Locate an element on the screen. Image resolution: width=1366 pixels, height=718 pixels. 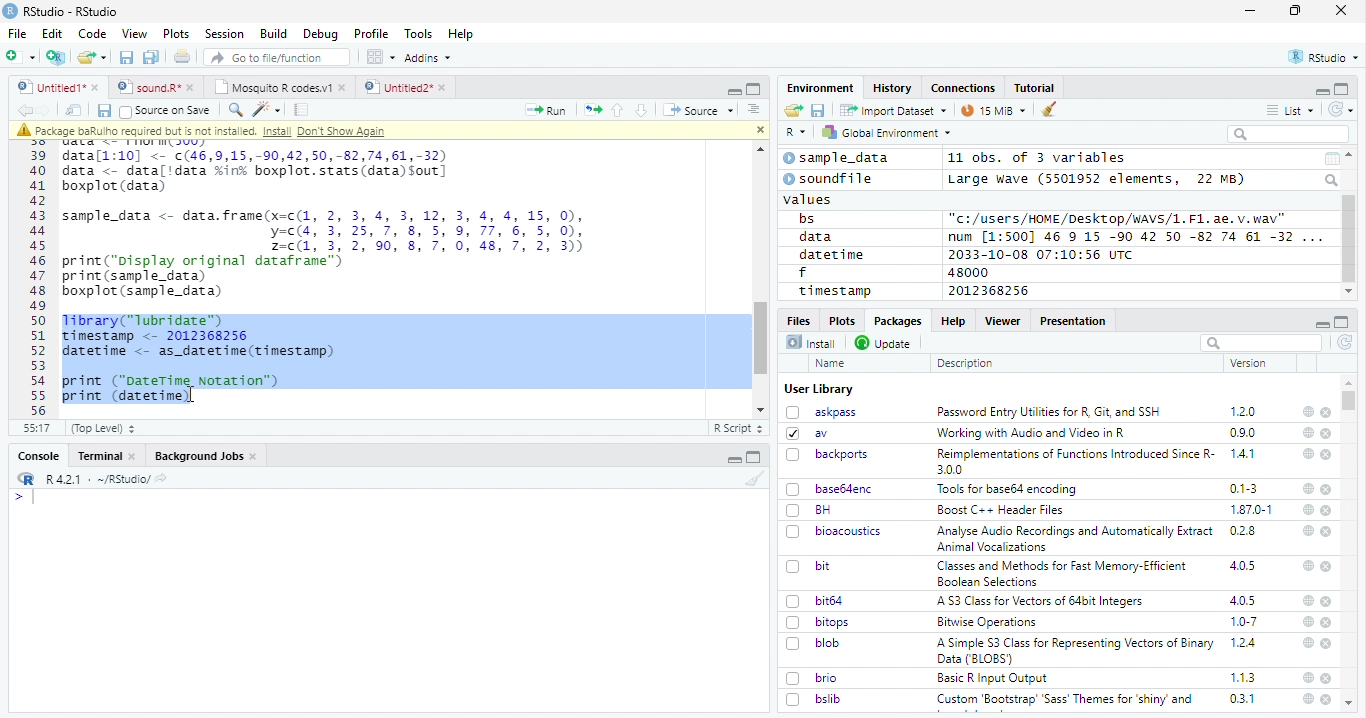
1.2.0 is located at coordinates (1245, 411).